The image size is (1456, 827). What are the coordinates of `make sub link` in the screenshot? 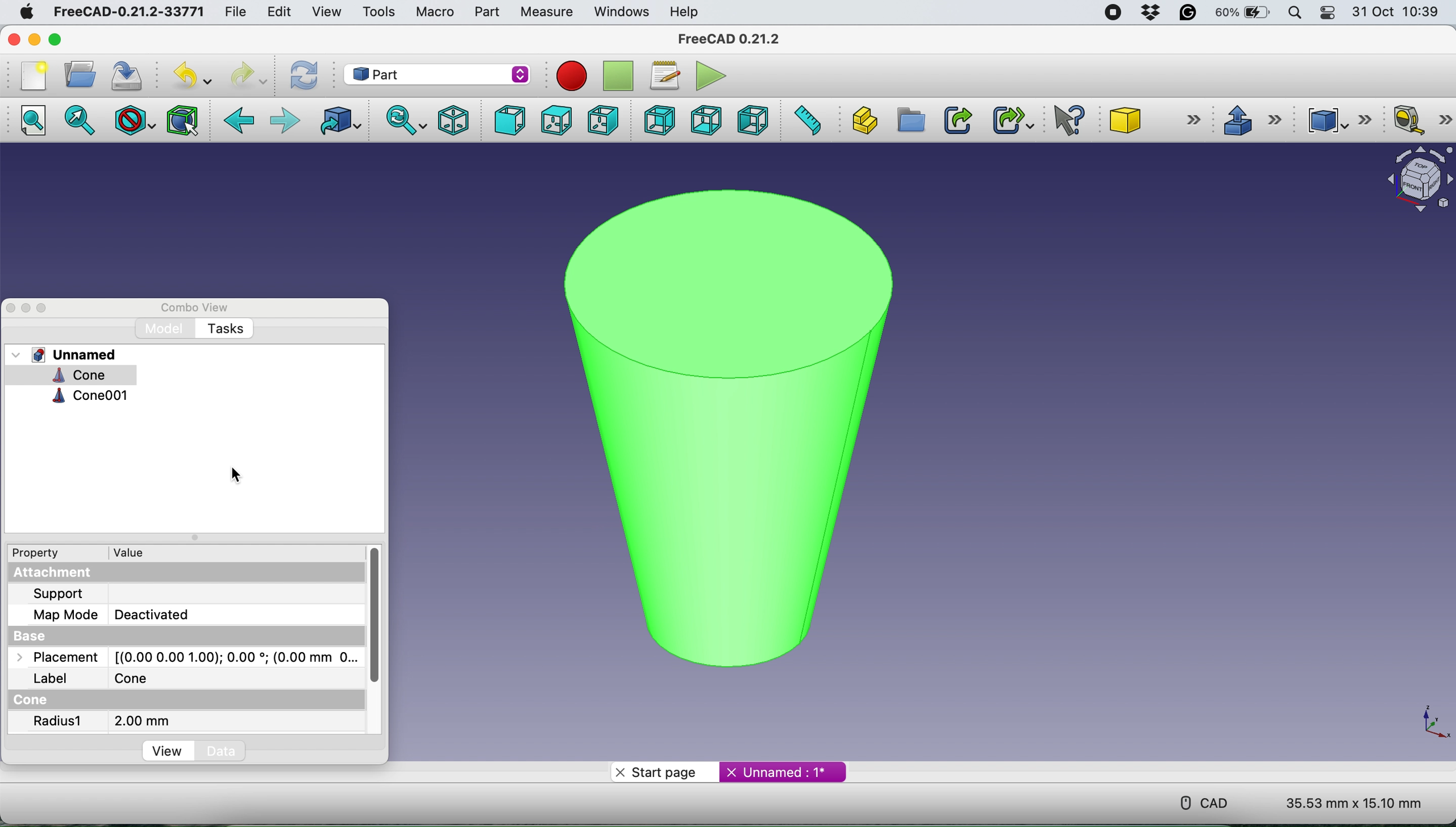 It's located at (1012, 120).